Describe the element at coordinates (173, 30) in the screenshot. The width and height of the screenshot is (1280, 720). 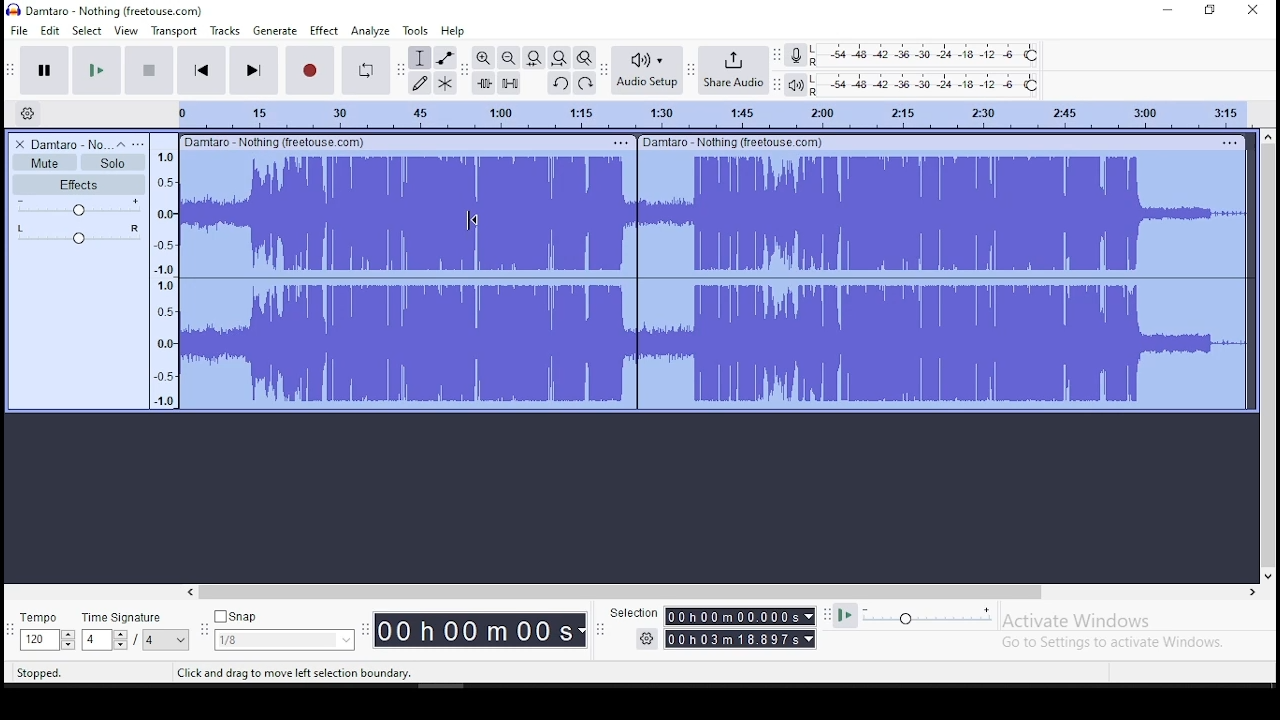
I see `transport` at that location.